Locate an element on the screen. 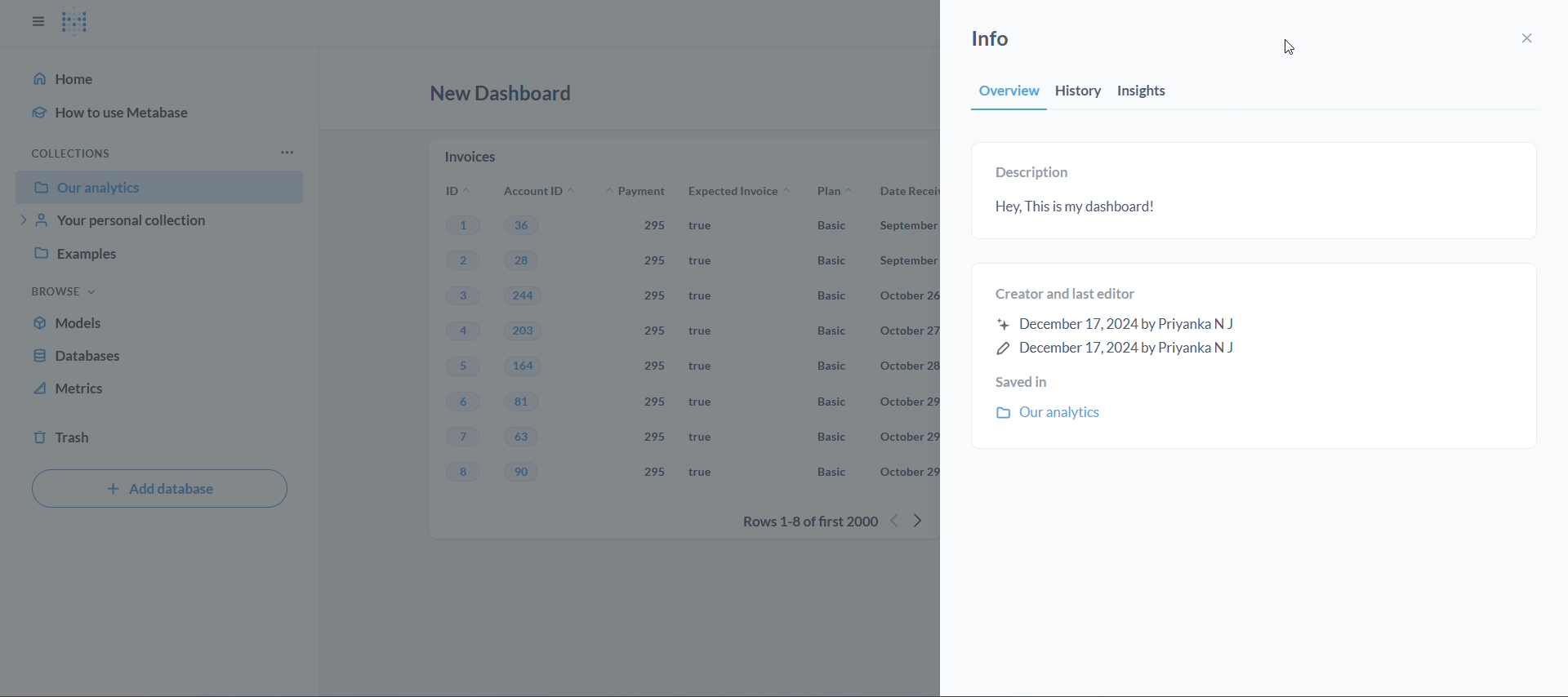  our analytics is located at coordinates (1055, 412).